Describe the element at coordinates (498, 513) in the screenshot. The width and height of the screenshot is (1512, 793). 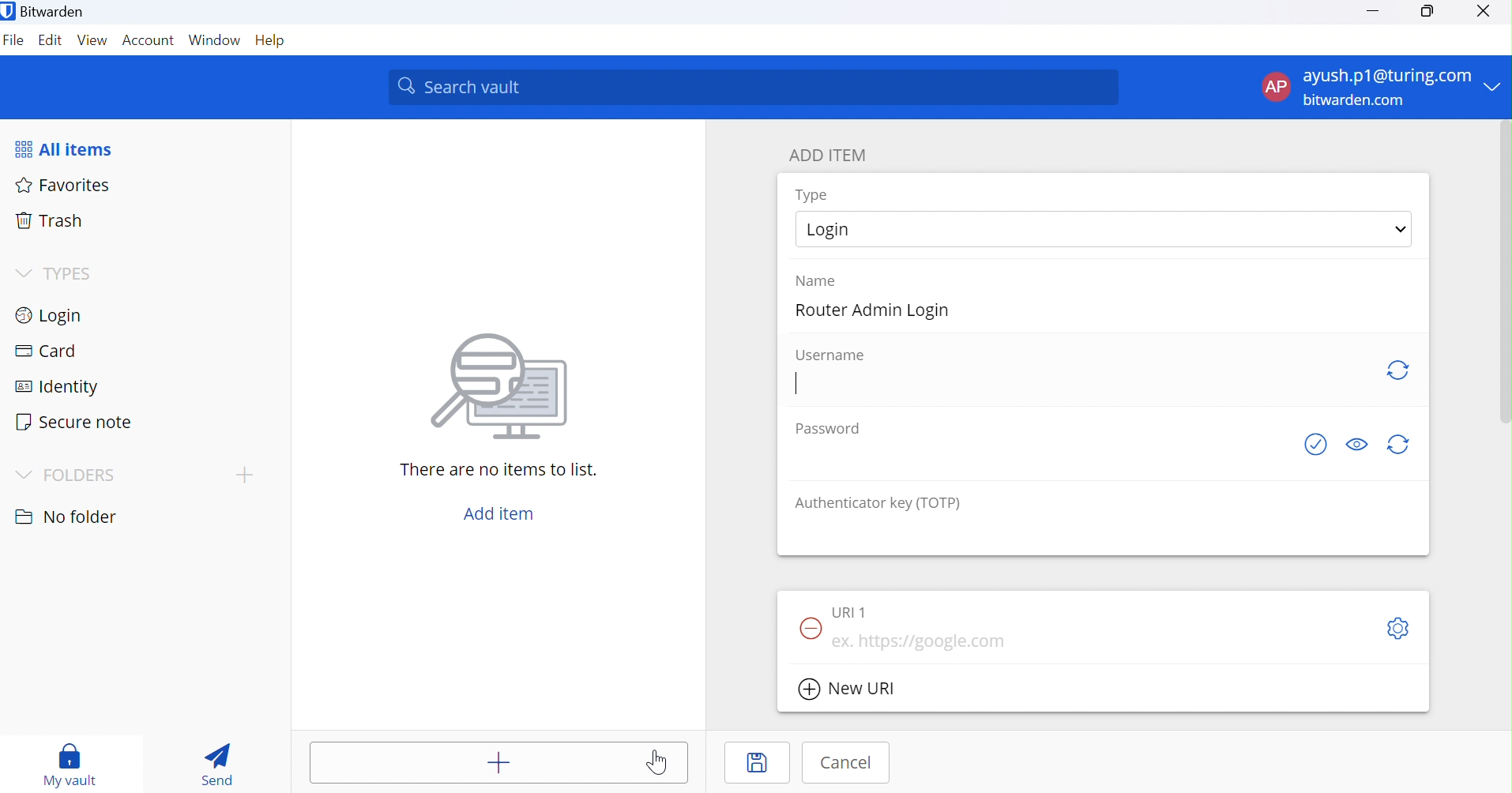
I see `Add item` at that location.